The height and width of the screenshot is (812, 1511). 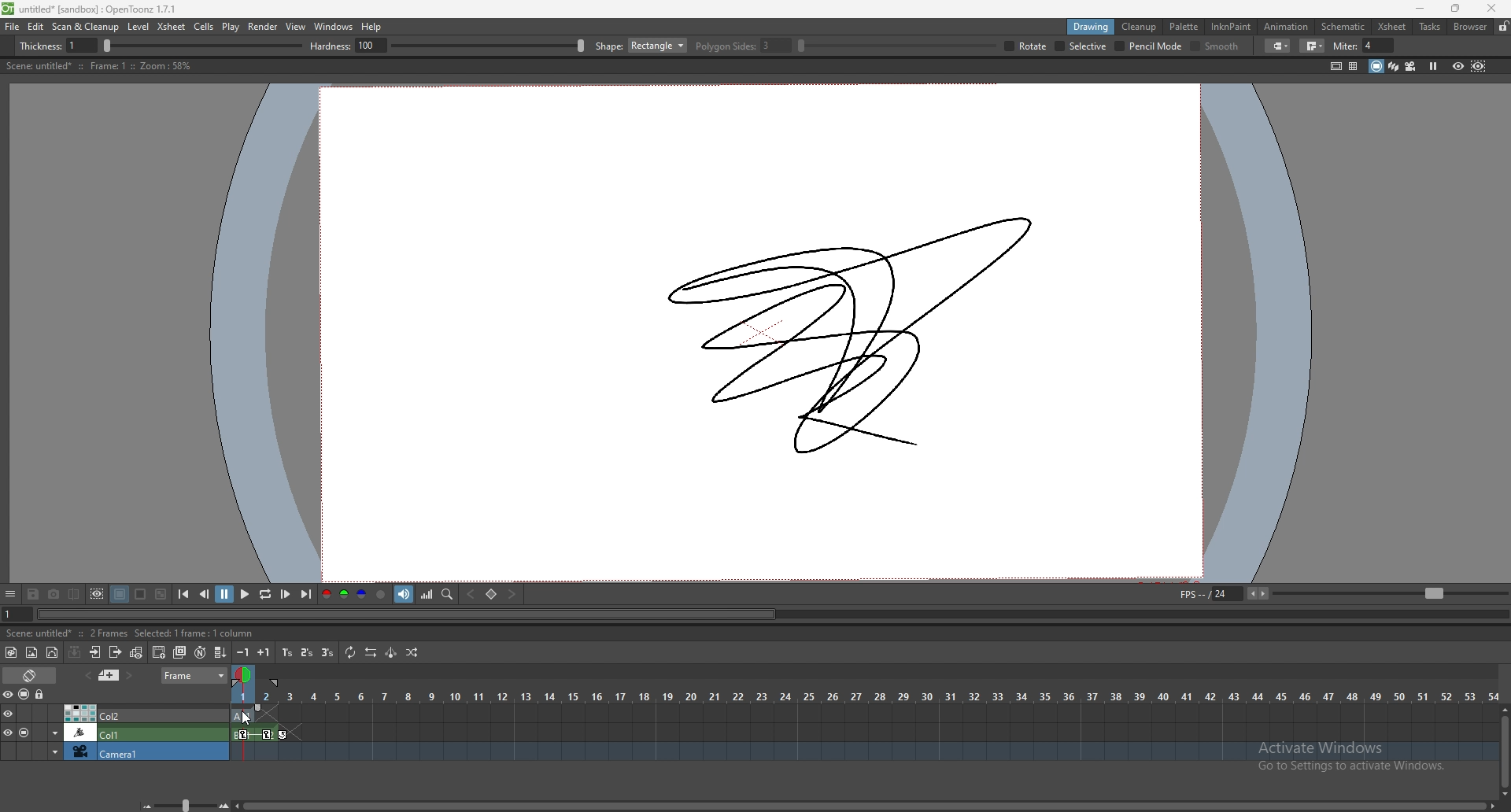 What do you see at coordinates (243, 652) in the screenshot?
I see `decrease step` at bounding box center [243, 652].